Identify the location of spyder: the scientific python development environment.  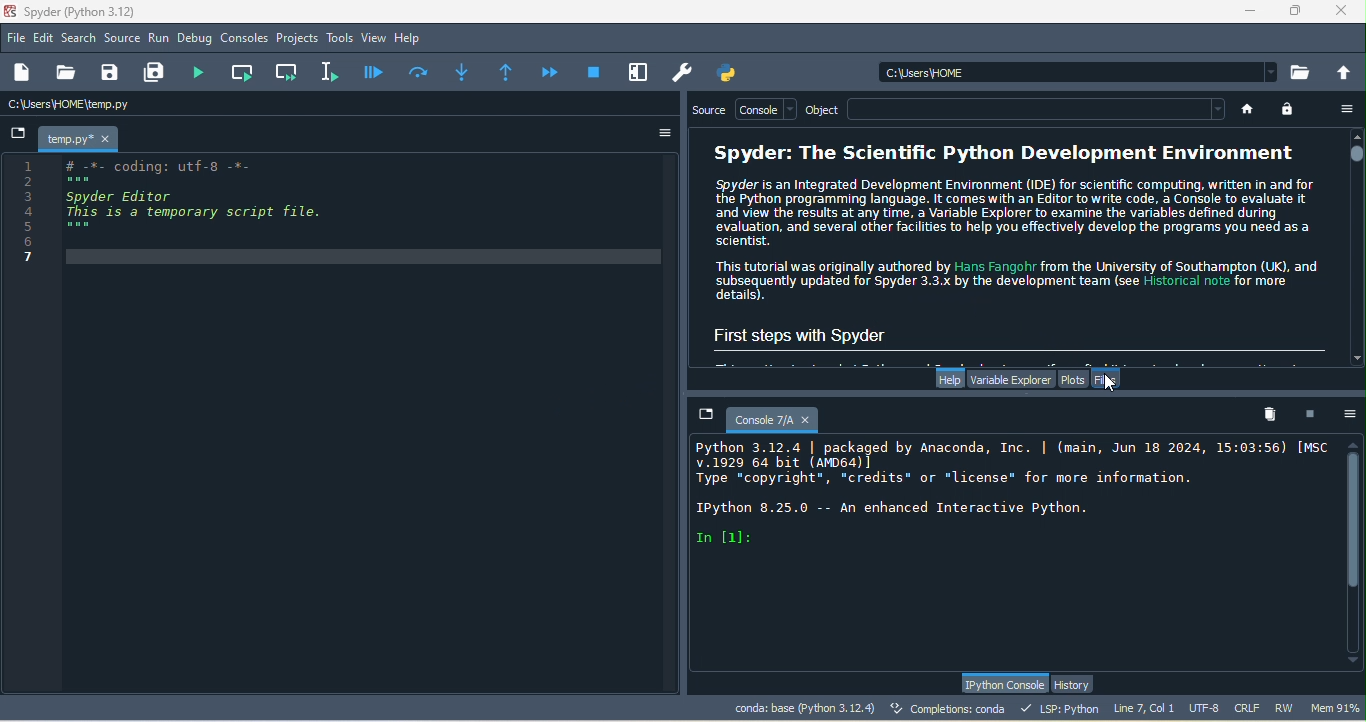
(998, 154).